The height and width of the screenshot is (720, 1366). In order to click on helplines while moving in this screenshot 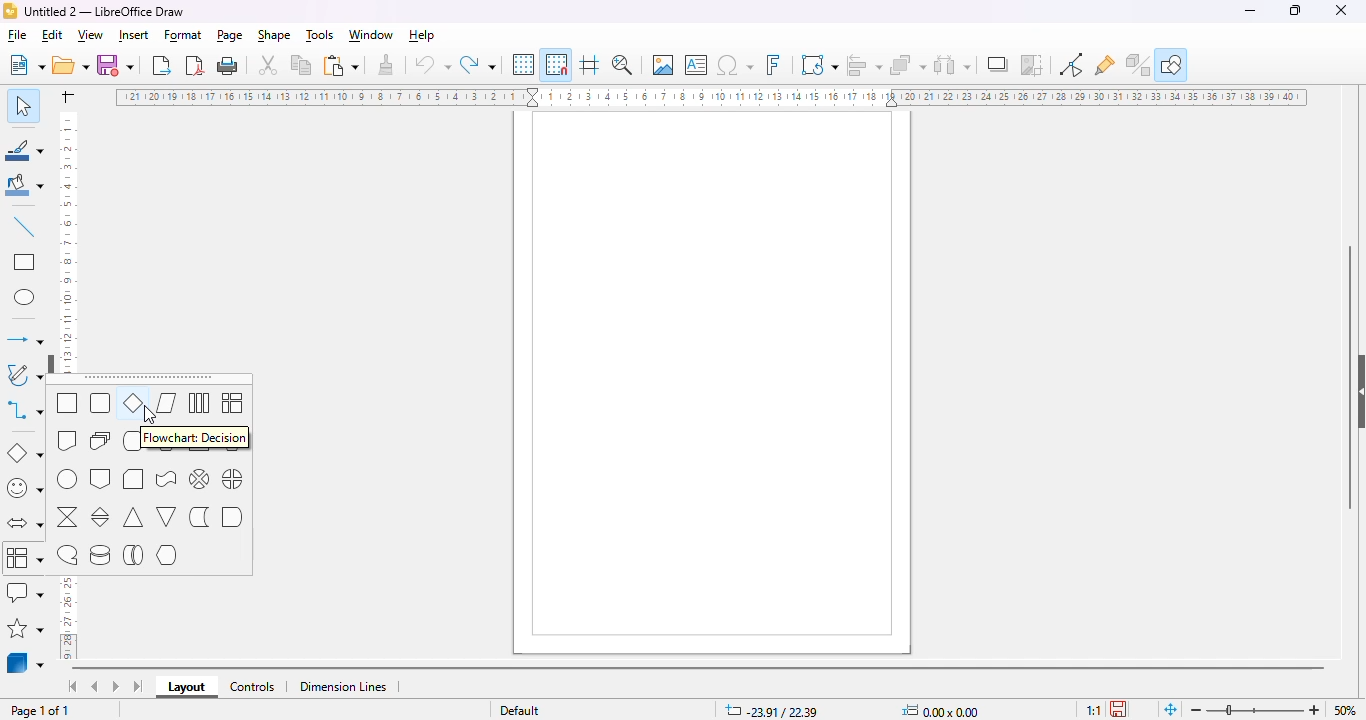, I will do `click(590, 65)`.